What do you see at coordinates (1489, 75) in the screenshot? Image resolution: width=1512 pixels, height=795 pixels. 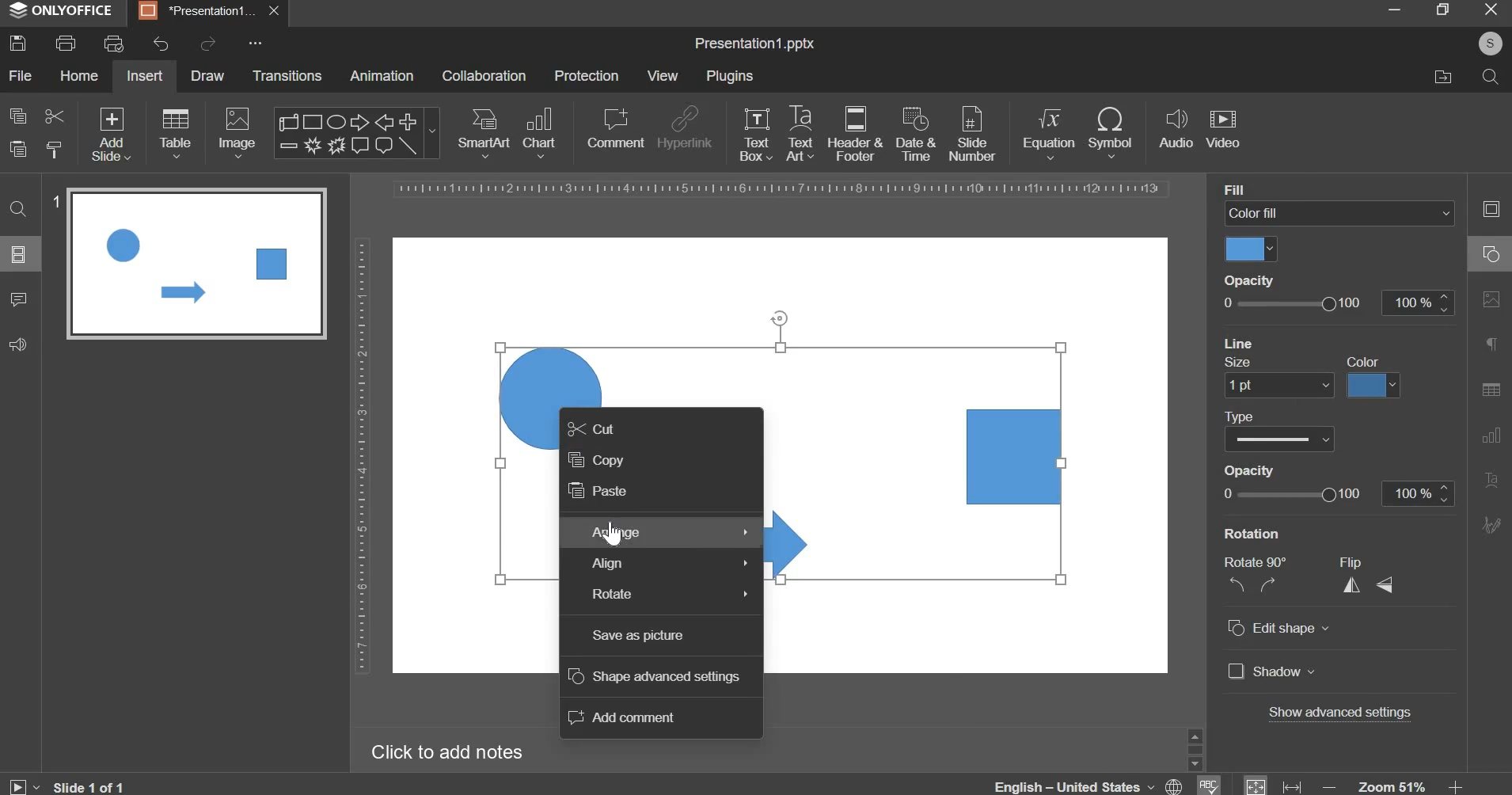 I see `search` at bounding box center [1489, 75].